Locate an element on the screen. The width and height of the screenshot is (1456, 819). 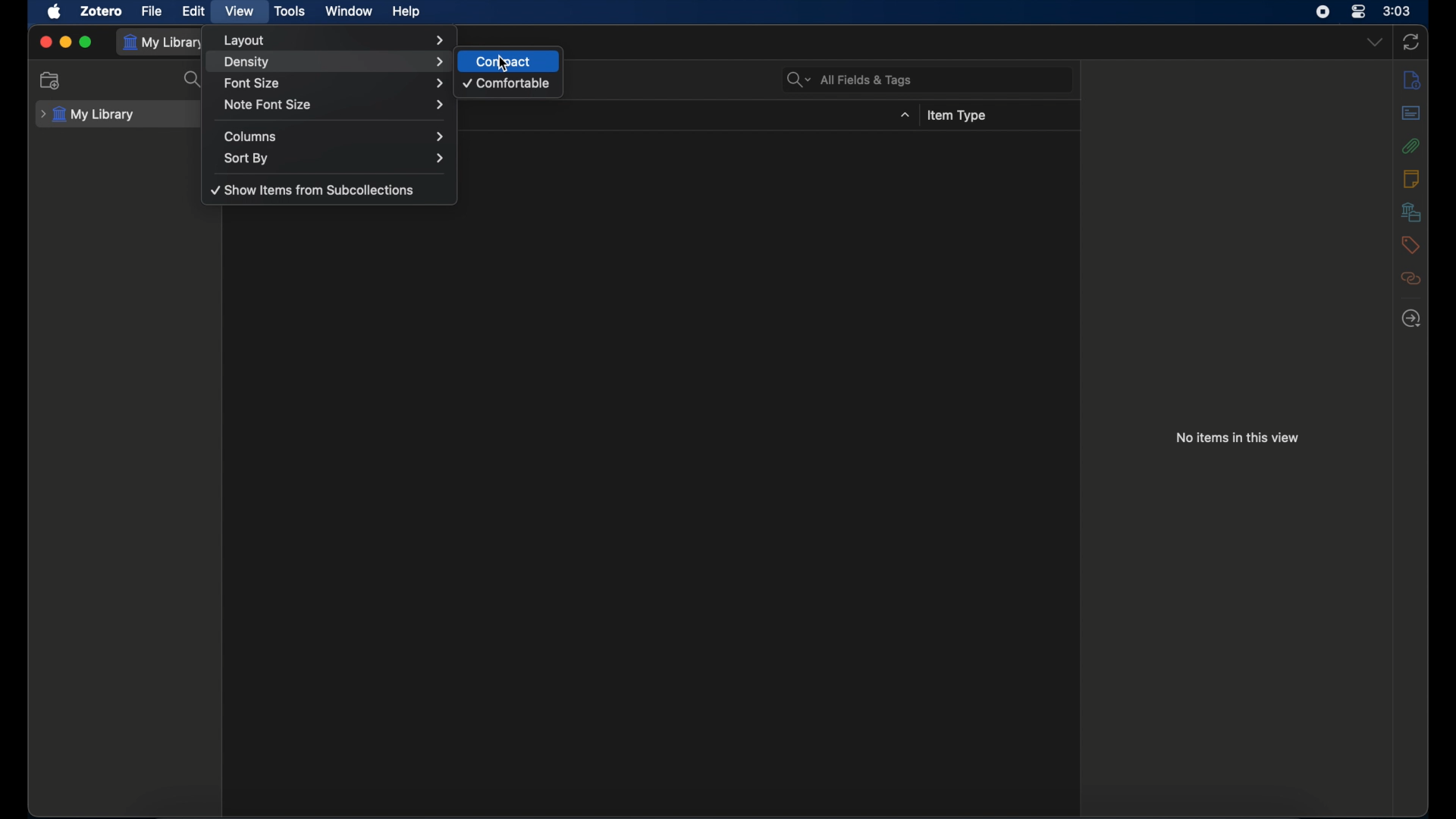
no items in this view is located at coordinates (1238, 437).